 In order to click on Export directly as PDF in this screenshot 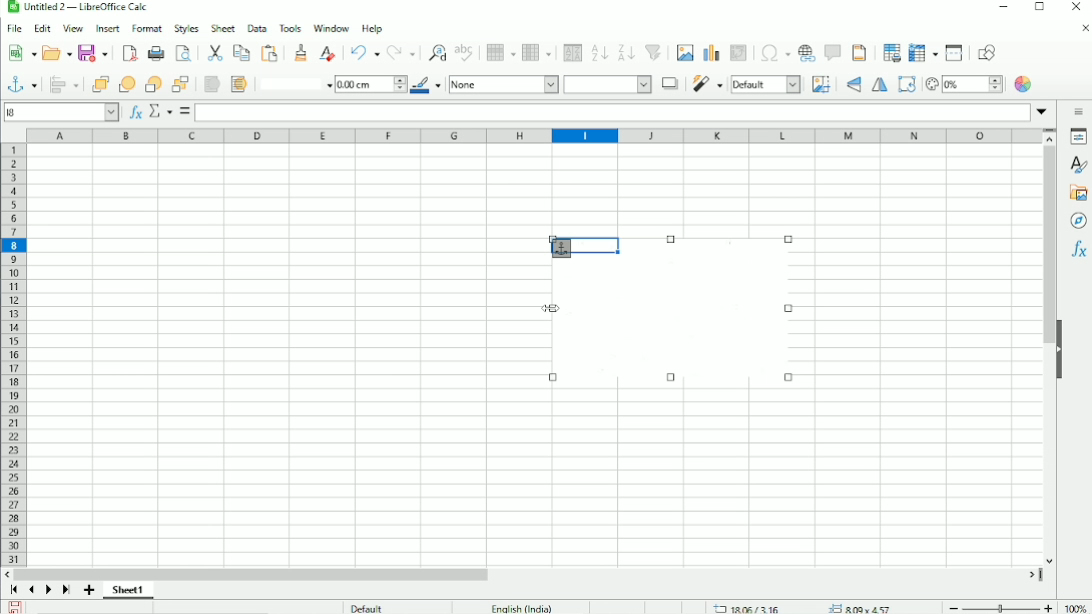, I will do `click(128, 54)`.